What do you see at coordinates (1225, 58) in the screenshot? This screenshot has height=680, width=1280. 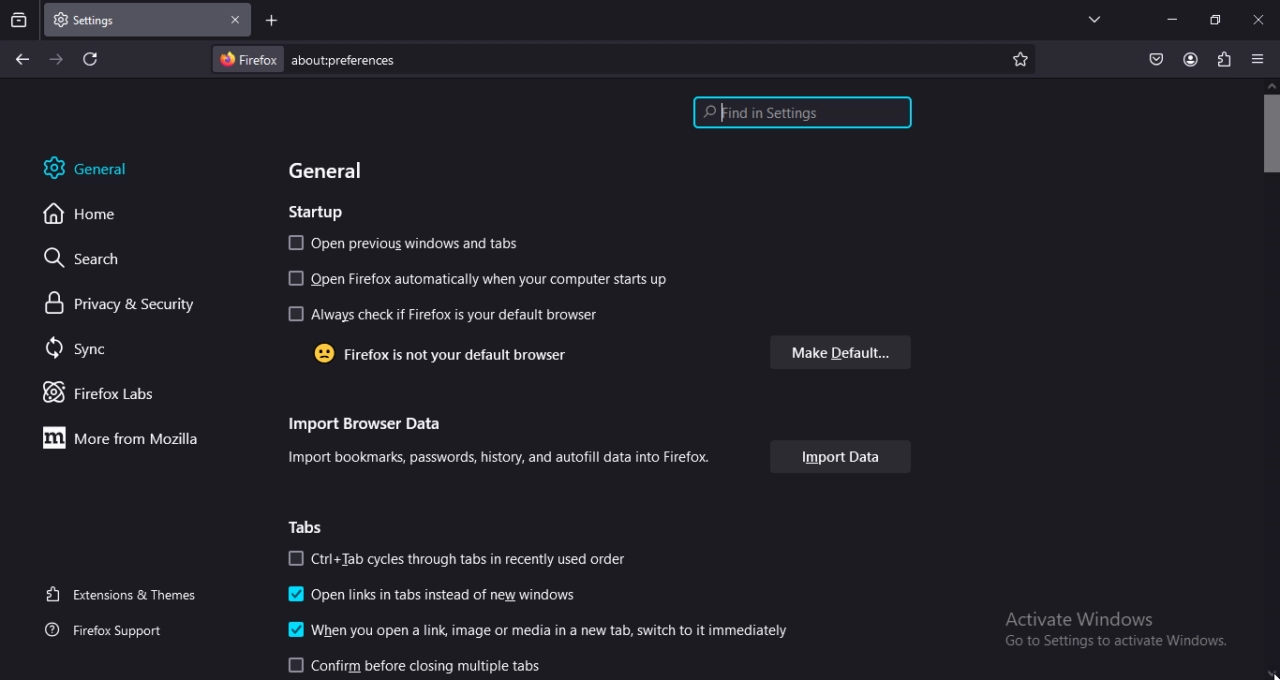 I see `extensions` at bounding box center [1225, 58].